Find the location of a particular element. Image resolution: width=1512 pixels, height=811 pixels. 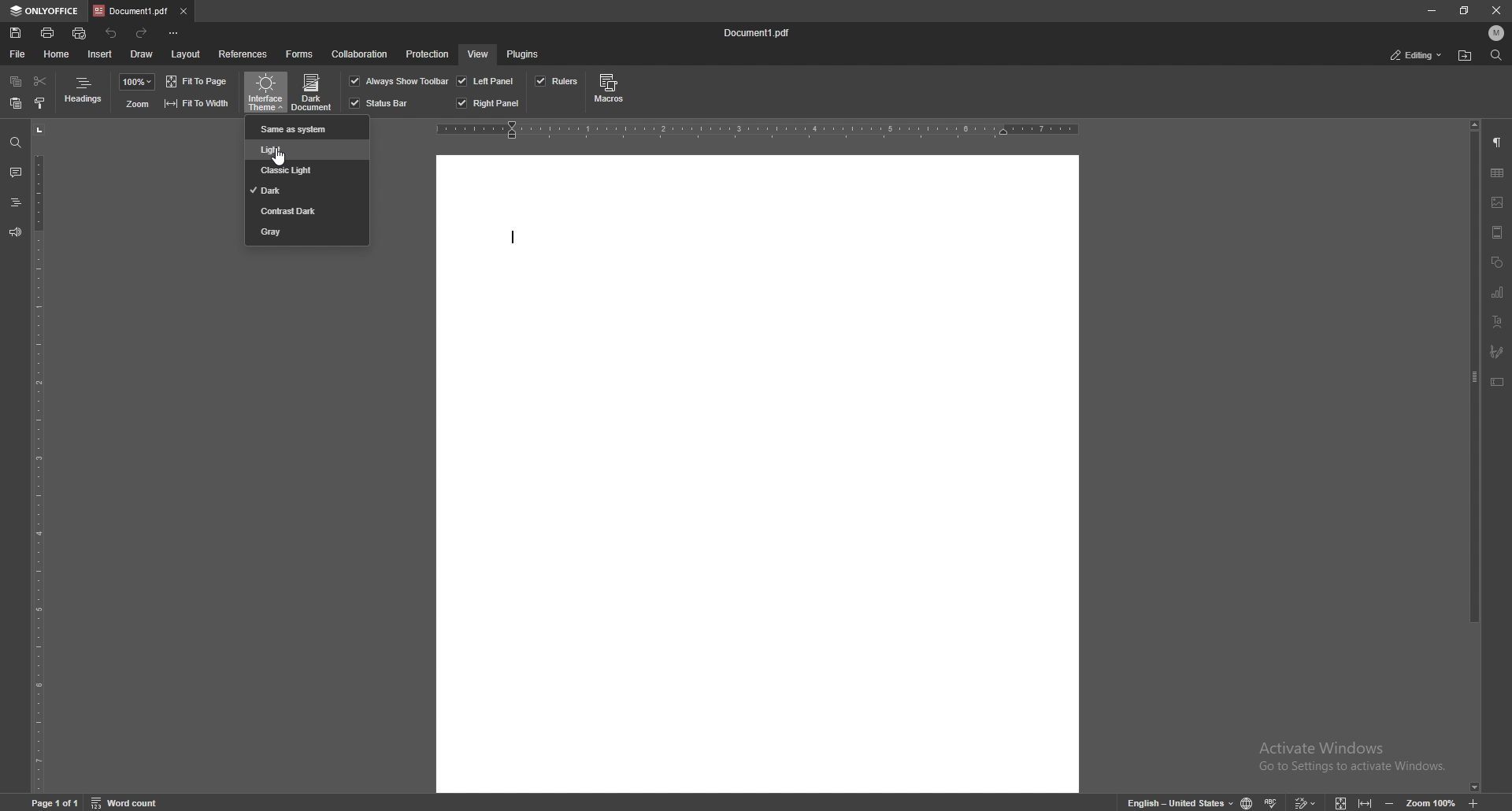

gray is located at coordinates (306, 231).